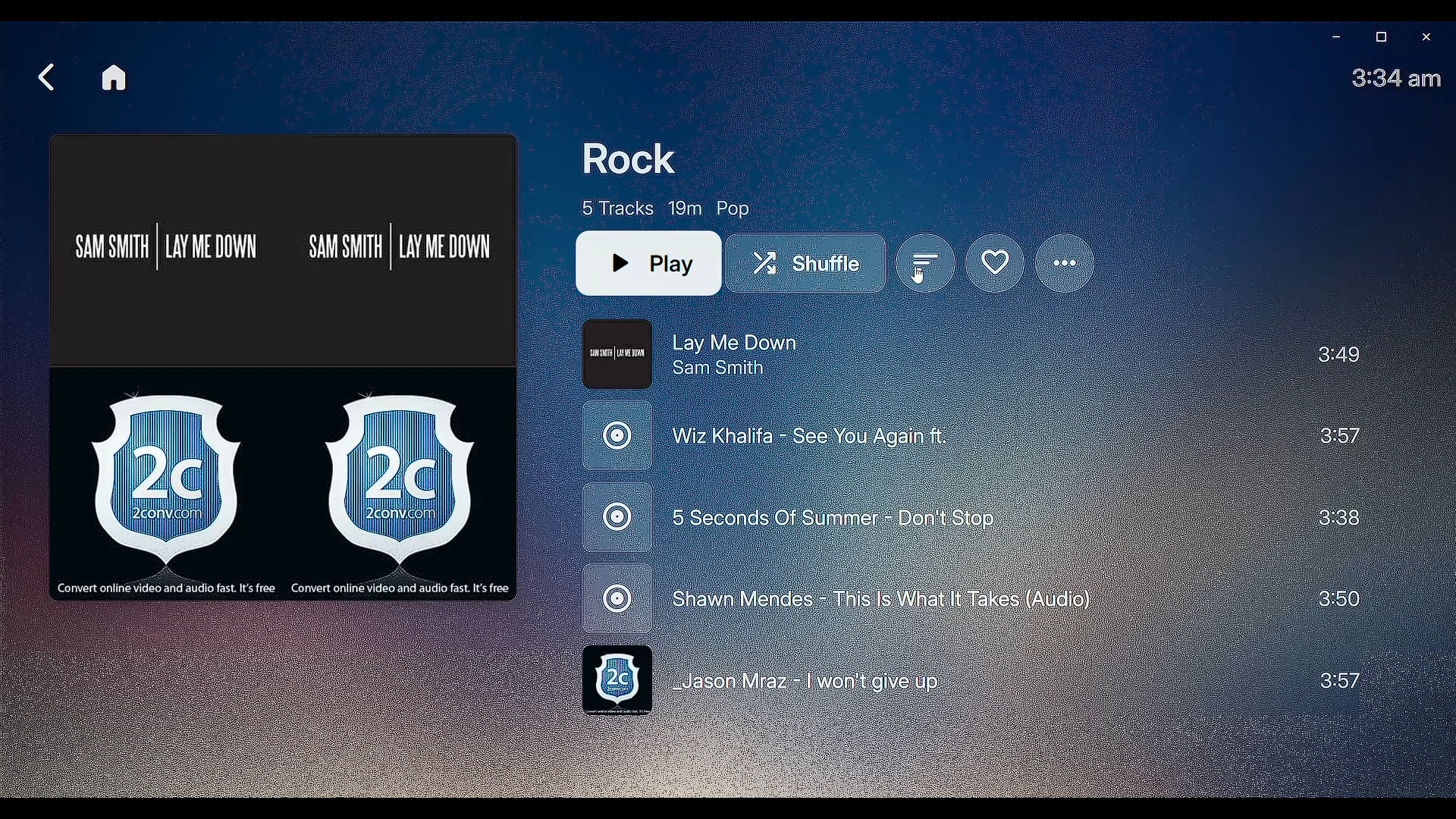 The height and width of the screenshot is (819, 1456). I want to click on 5 Seconds of Summer- Don't stop, so click(964, 521).